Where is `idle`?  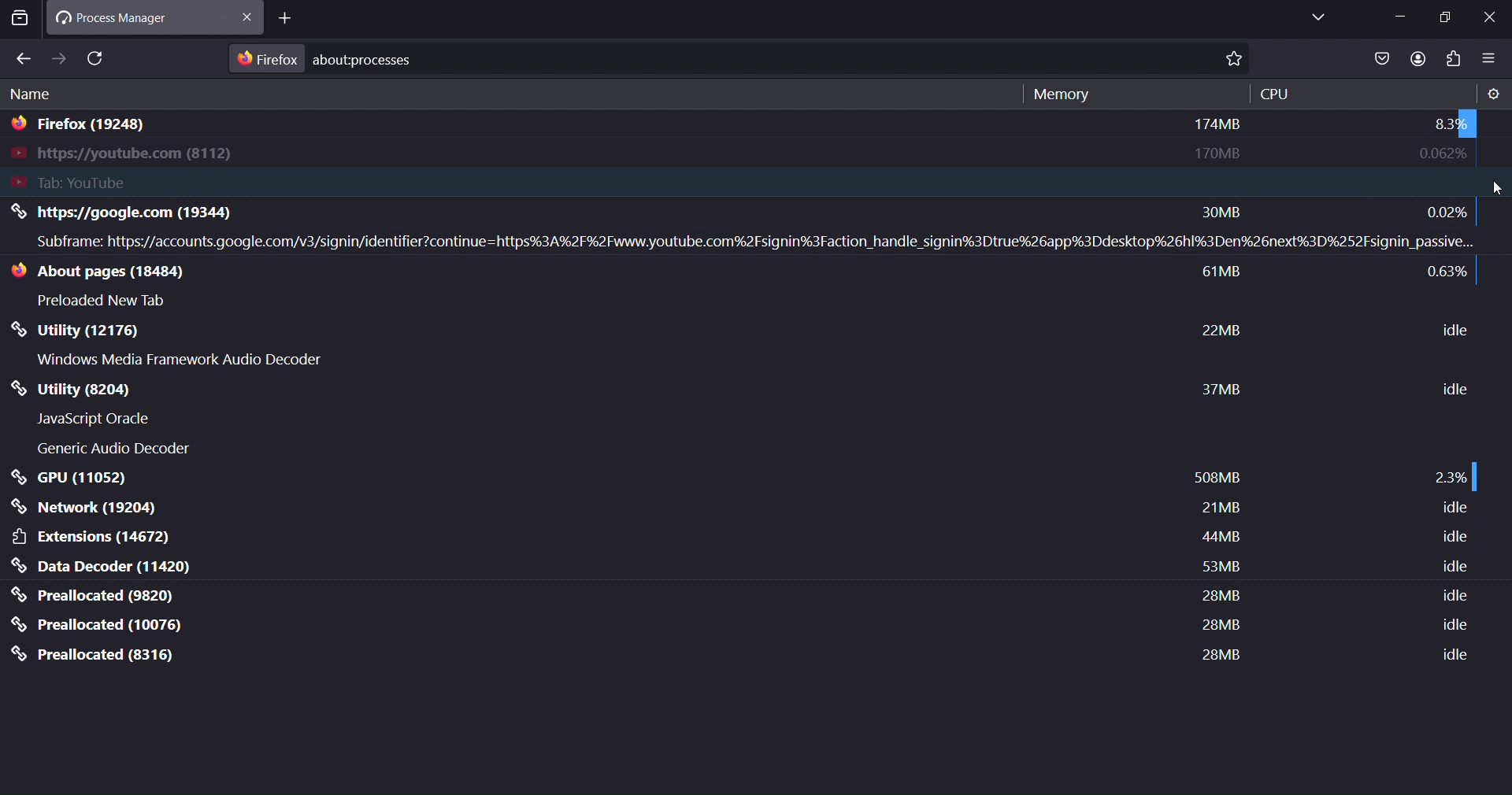 idle is located at coordinates (1453, 537).